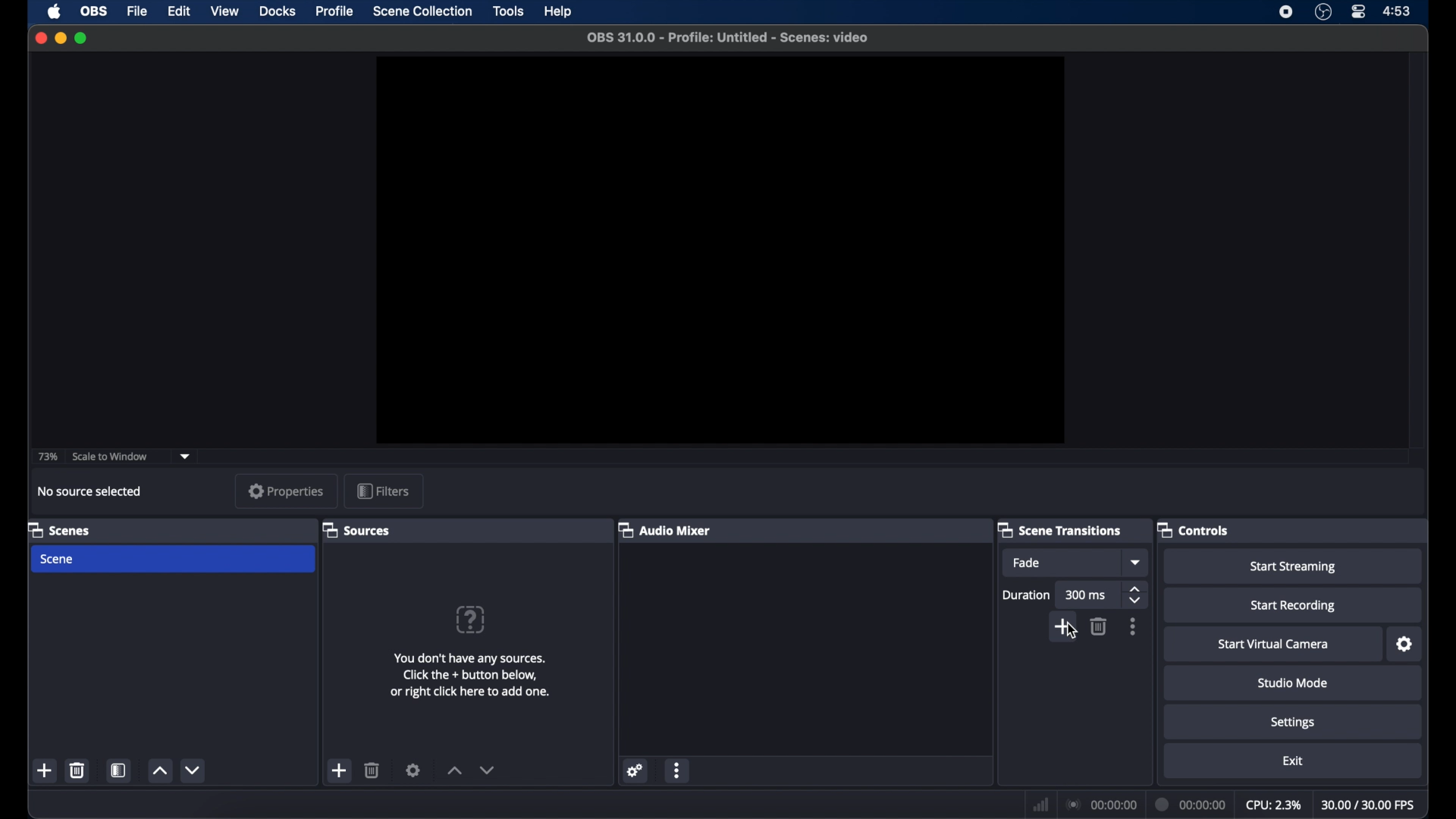  I want to click on decrement, so click(194, 770).